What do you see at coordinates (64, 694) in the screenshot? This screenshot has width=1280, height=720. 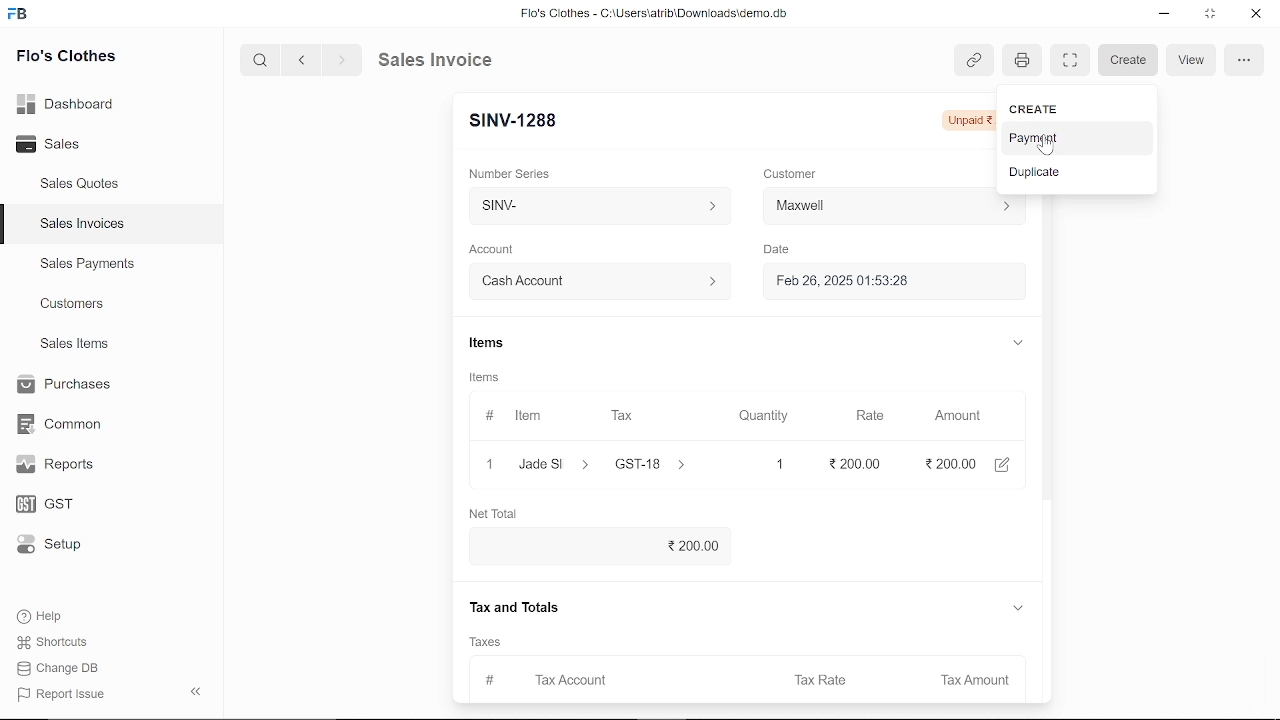 I see `| Report Issue:` at bounding box center [64, 694].